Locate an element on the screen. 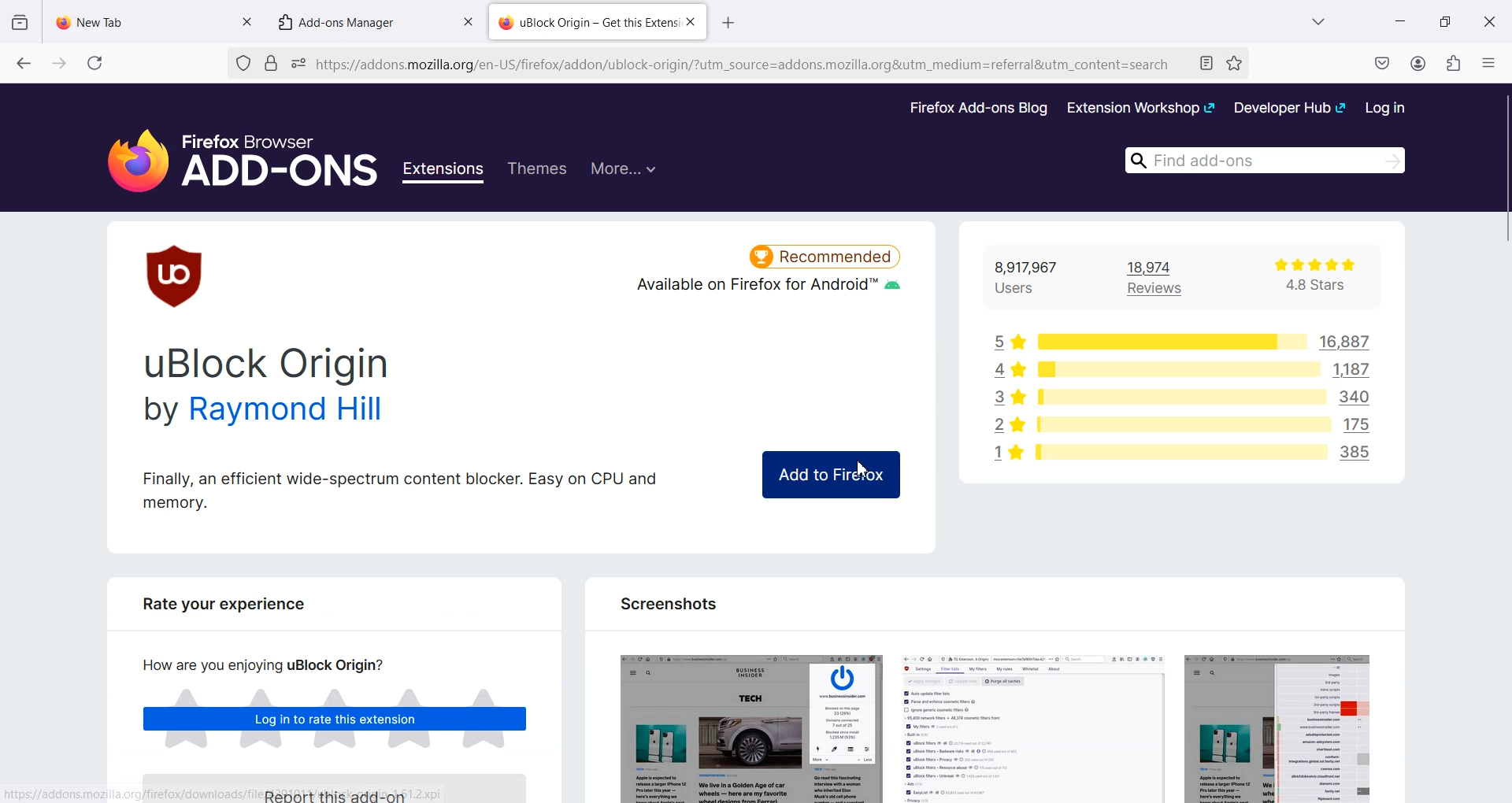 Image resolution: width=1512 pixels, height=803 pixels. uBlock Origin — Get this Extens is located at coordinates (587, 20).